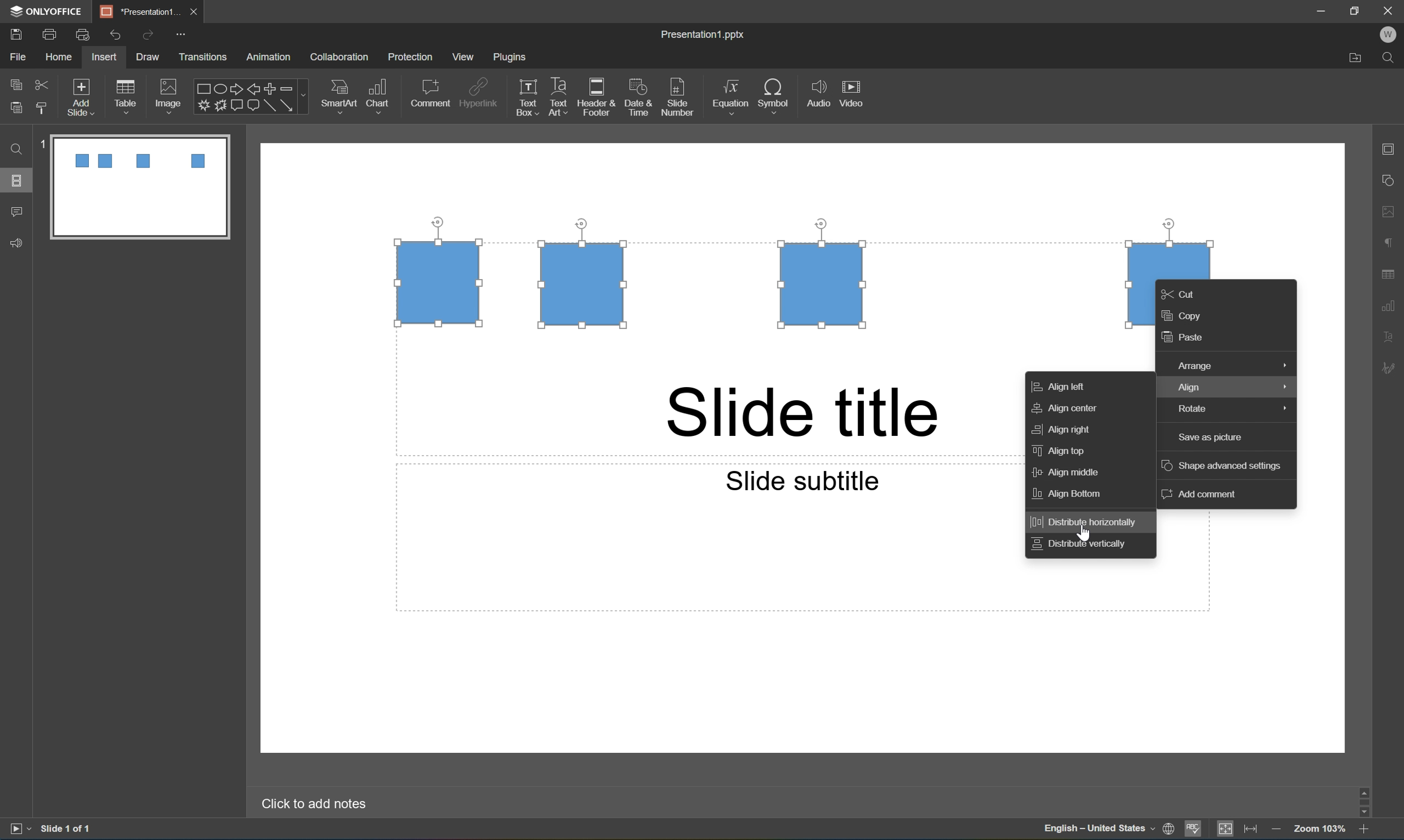 The width and height of the screenshot is (1404, 840). Describe the element at coordinates (729, 95) in the screenshot. I see `equation` at that location.